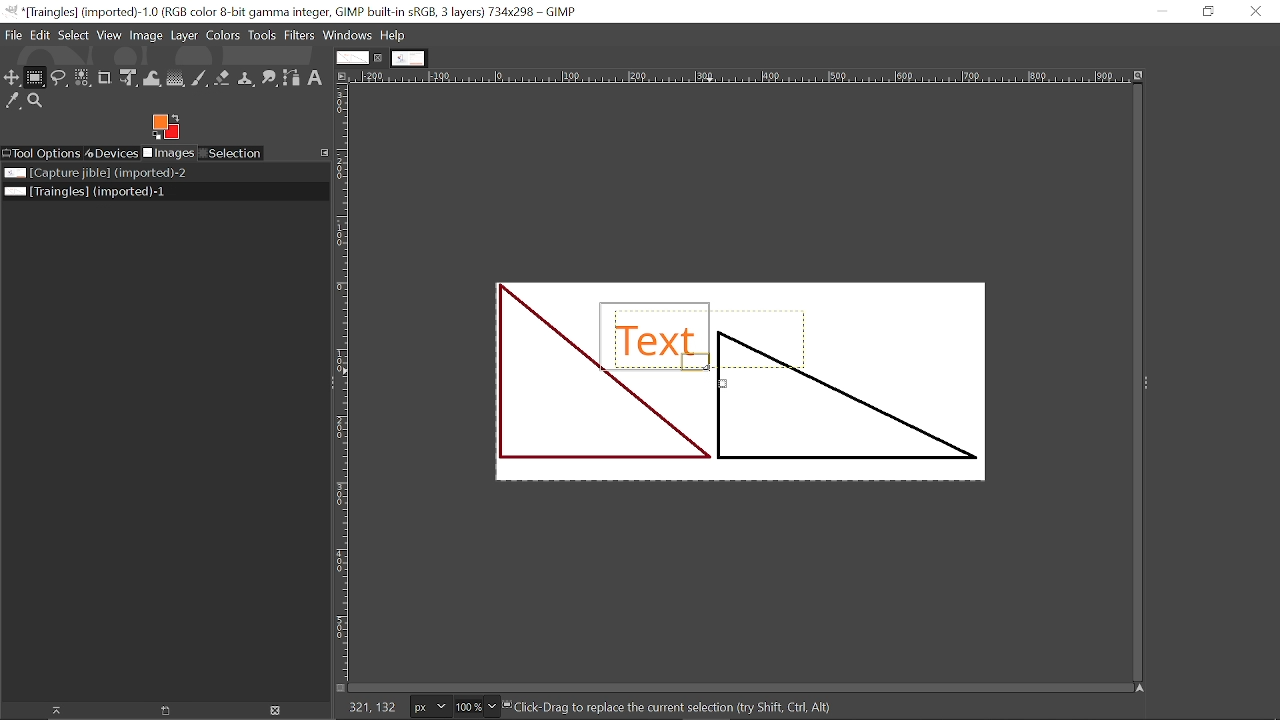 Image resolution: width=1280 pixels, height=720 pixels. What do you see at coordinates (324, 152) in the screenshot?
I see `Configure this tab` at bounding box center [324, 152].